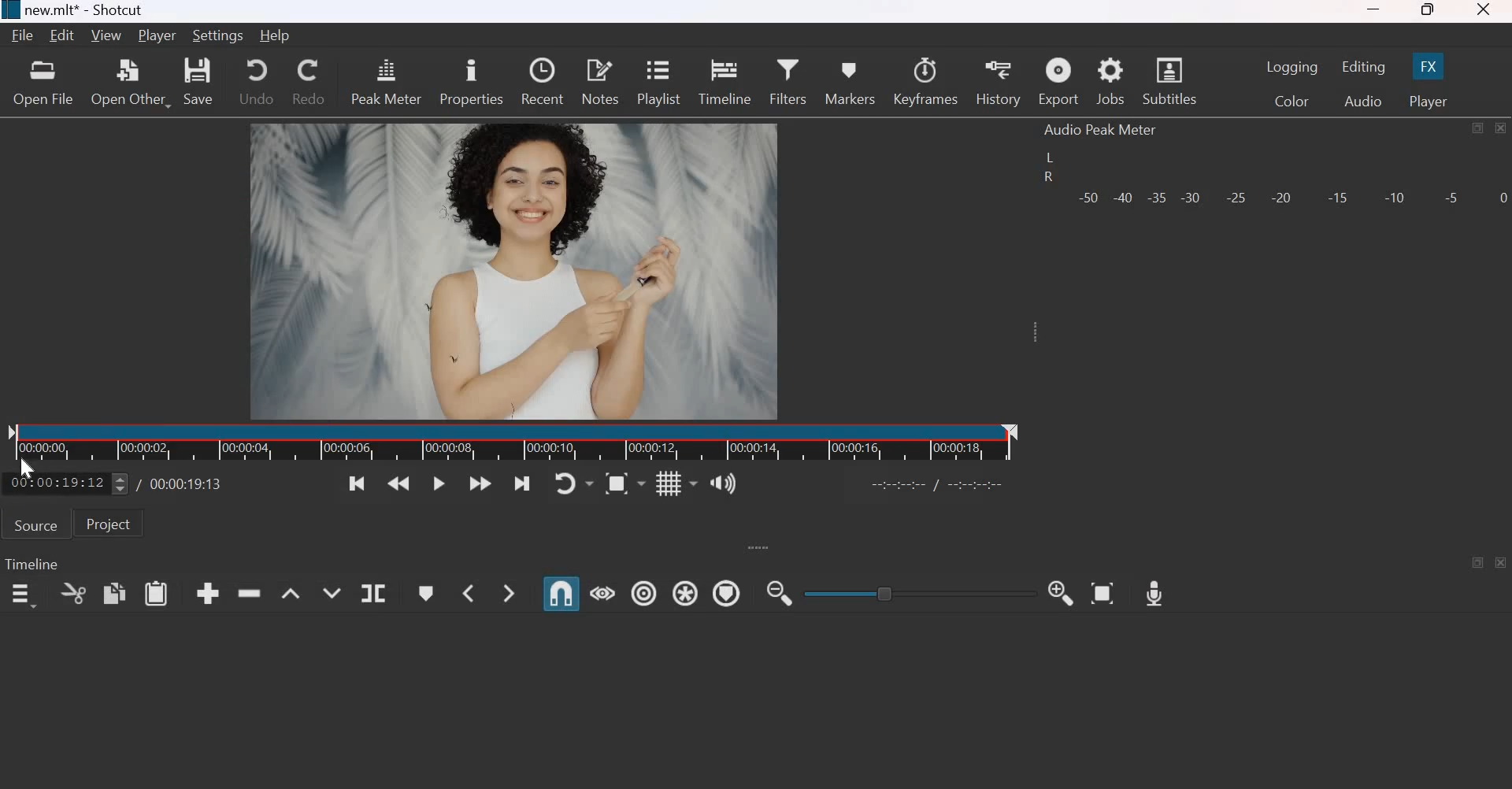 This screenshot has height=789, width=1512. What do you see at coordinates (25, 35) in the screenshot?
I see `File` at bounding box center [25, 35].